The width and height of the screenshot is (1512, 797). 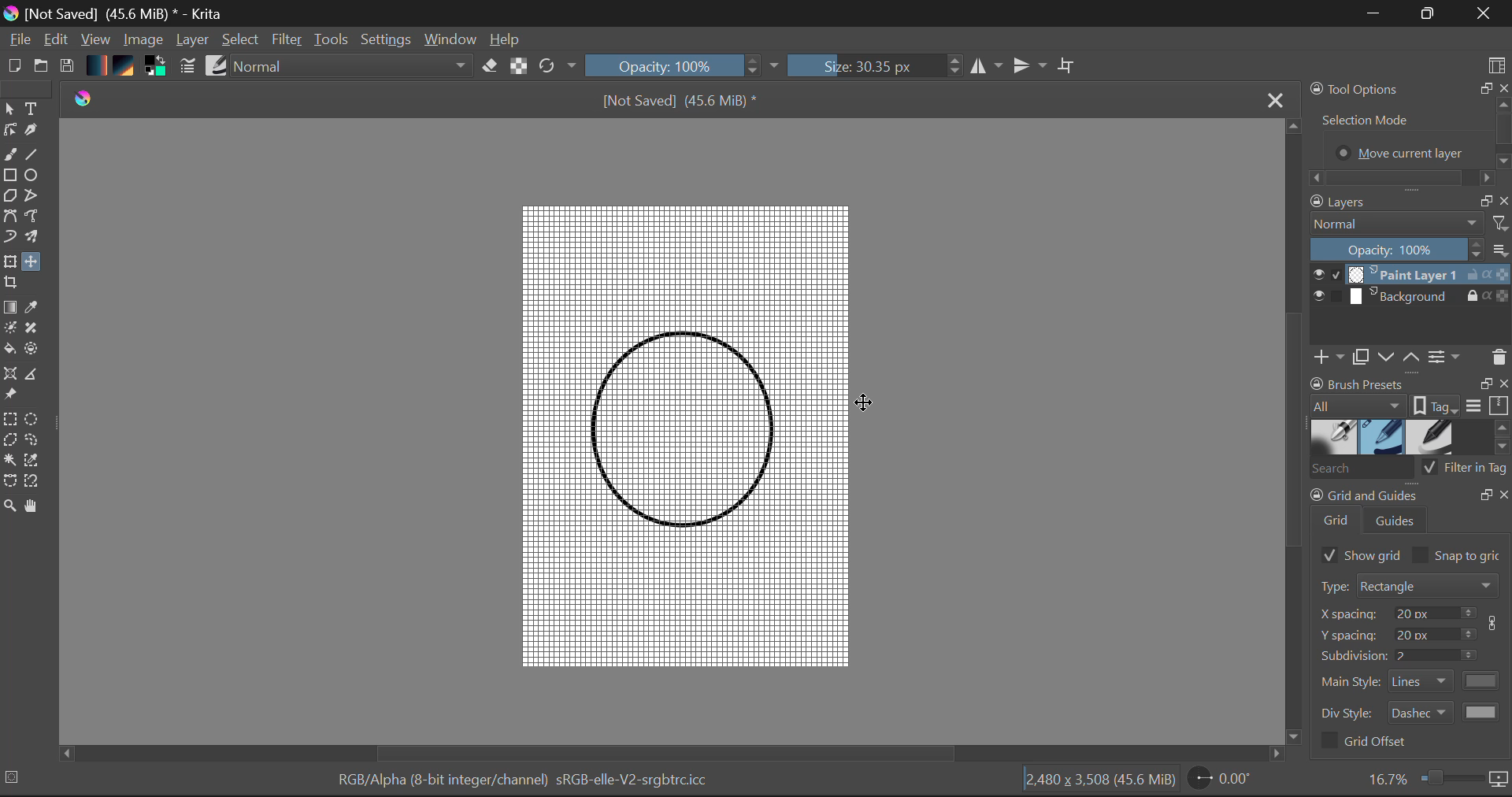 What do you see at coordinates (57, 40) in the screenshot?
I see `Edit` at bounding box center [57, 40].